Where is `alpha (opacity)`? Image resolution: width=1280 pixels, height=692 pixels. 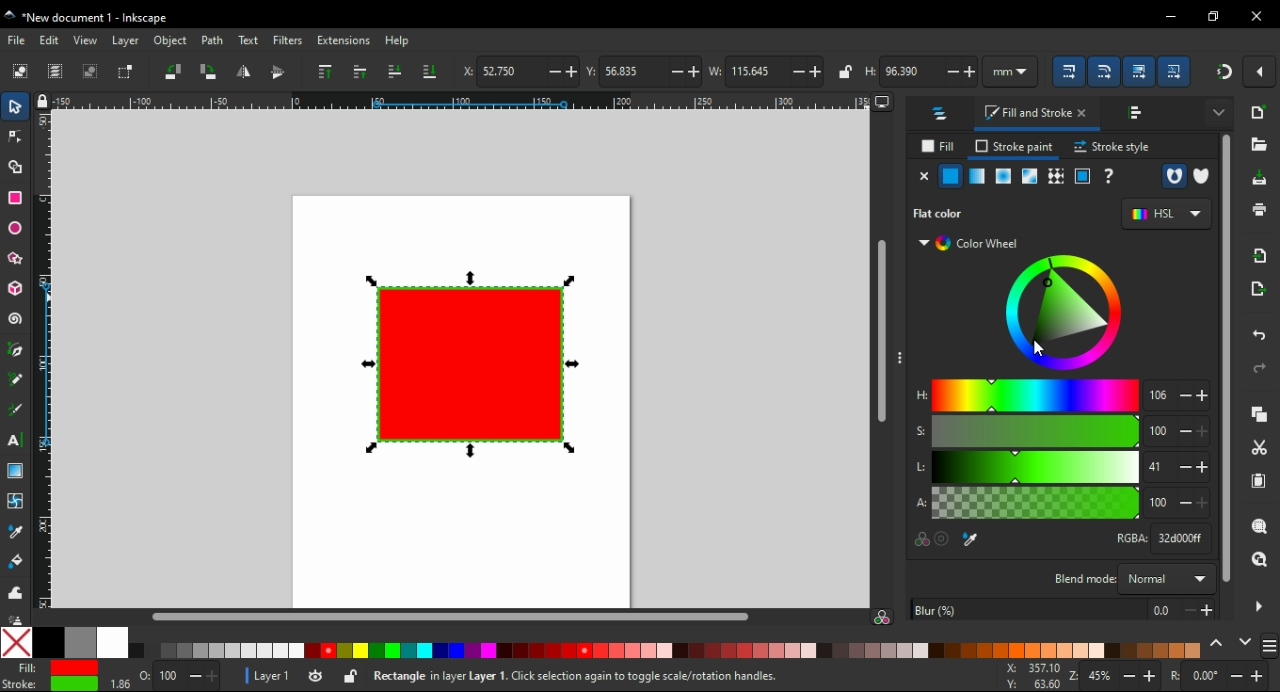
alpha (opacity) is located at coordinates (1035, 503).